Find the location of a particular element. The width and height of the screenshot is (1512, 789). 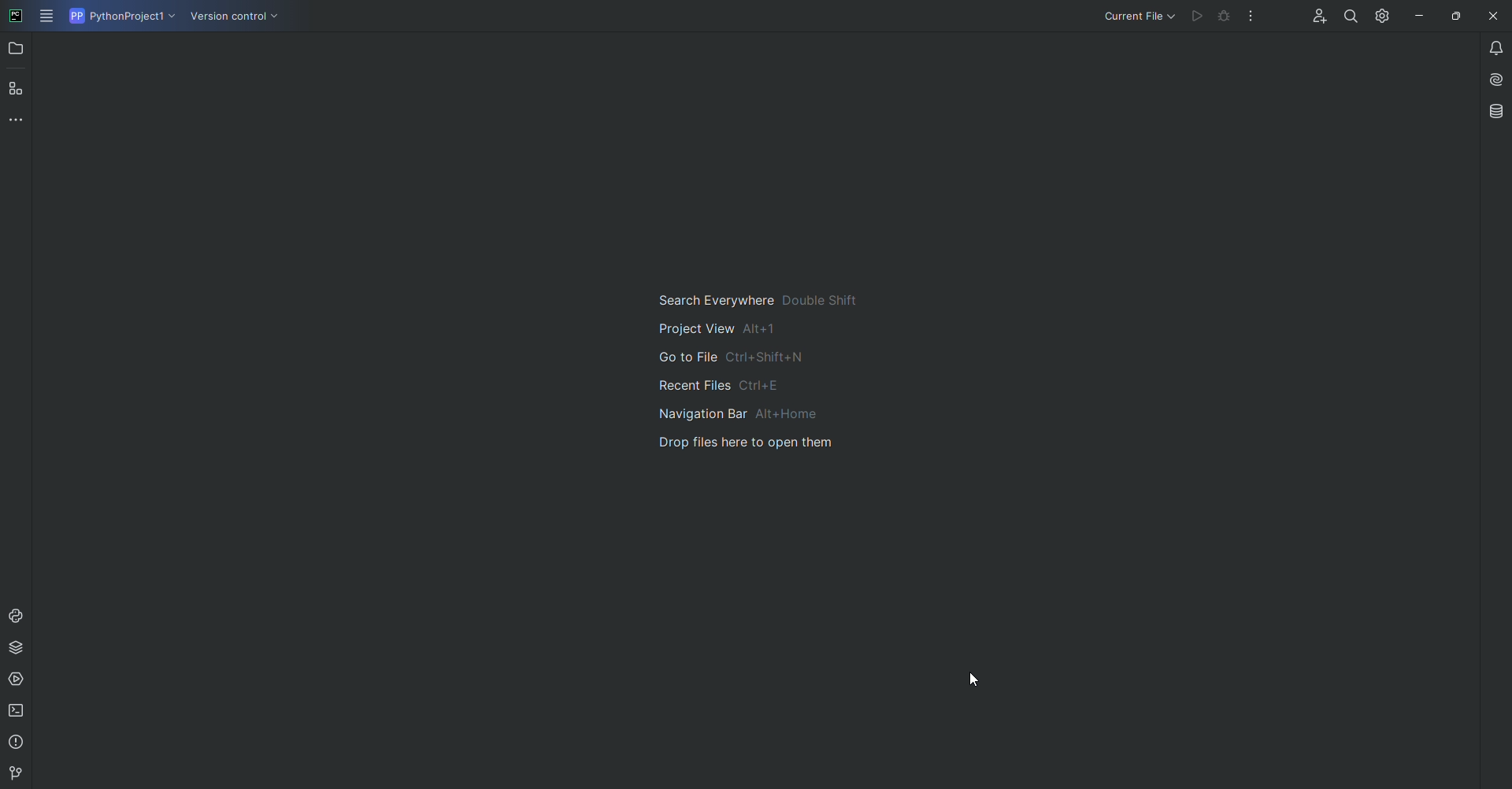

Version COntrol is located at coordinates (238, 19).